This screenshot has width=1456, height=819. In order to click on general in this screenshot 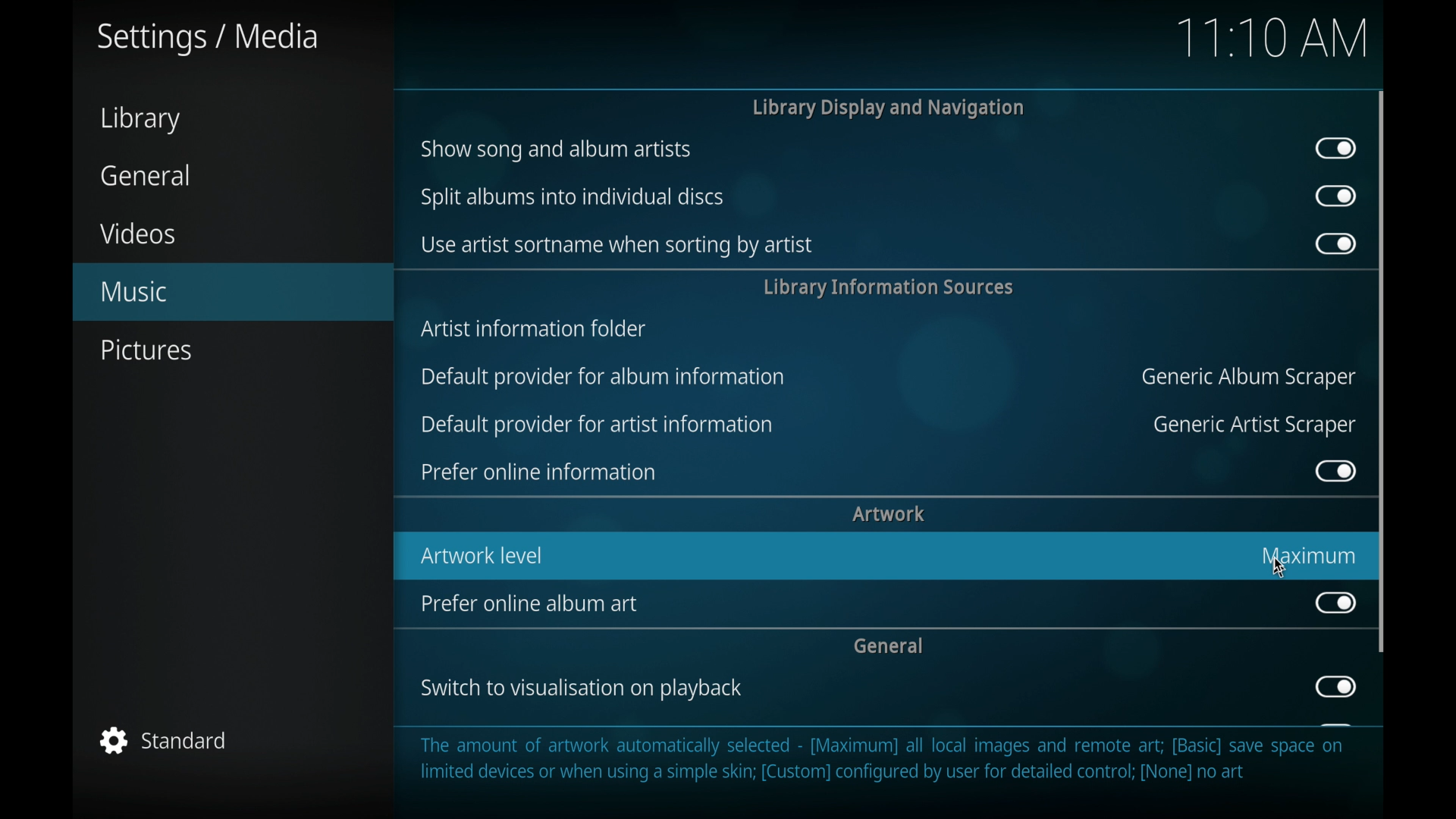, I will do `click(889, 645)`.